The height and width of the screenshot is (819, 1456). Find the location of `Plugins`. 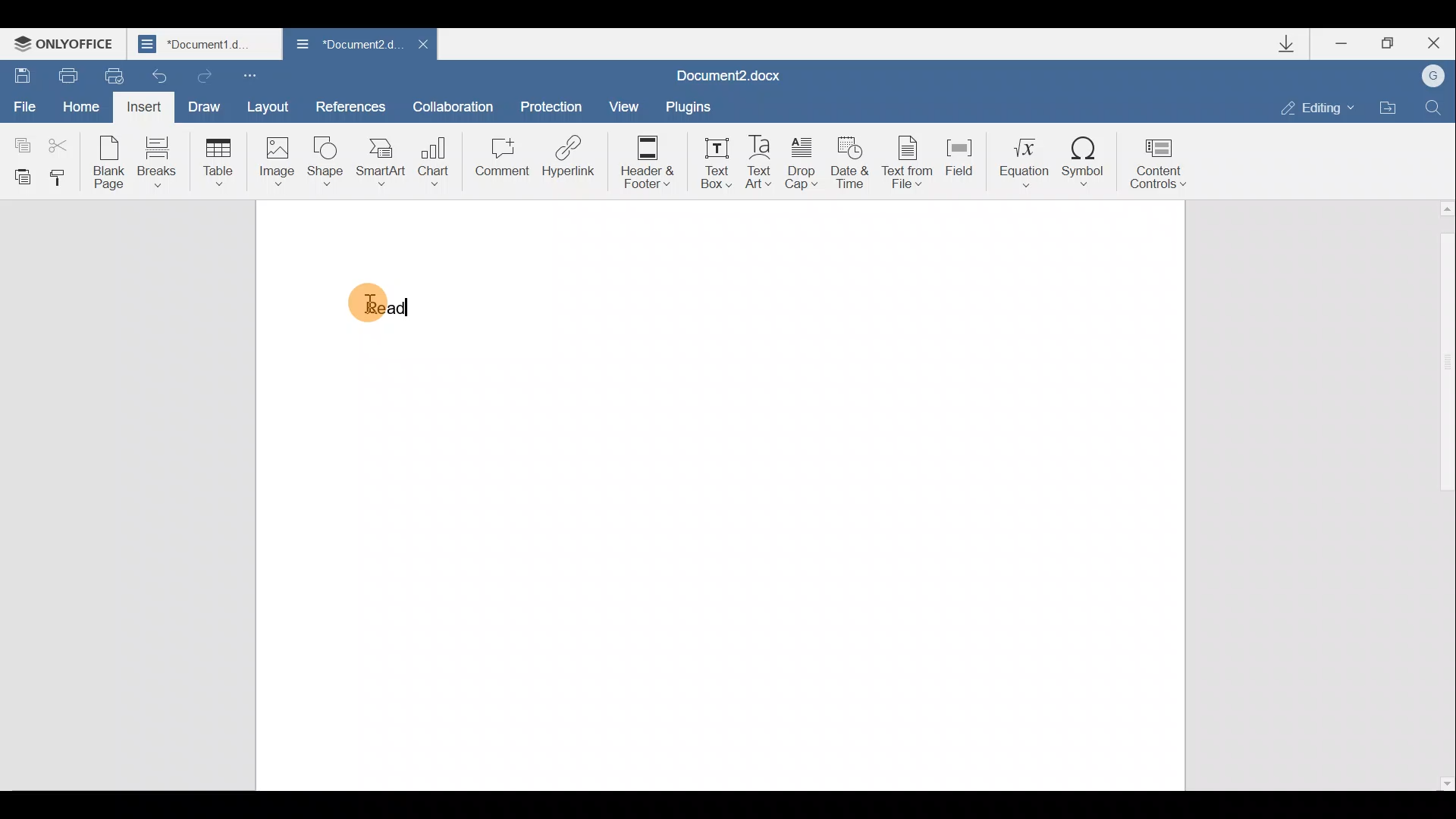

Plugins is located at coordinates (686, 106).